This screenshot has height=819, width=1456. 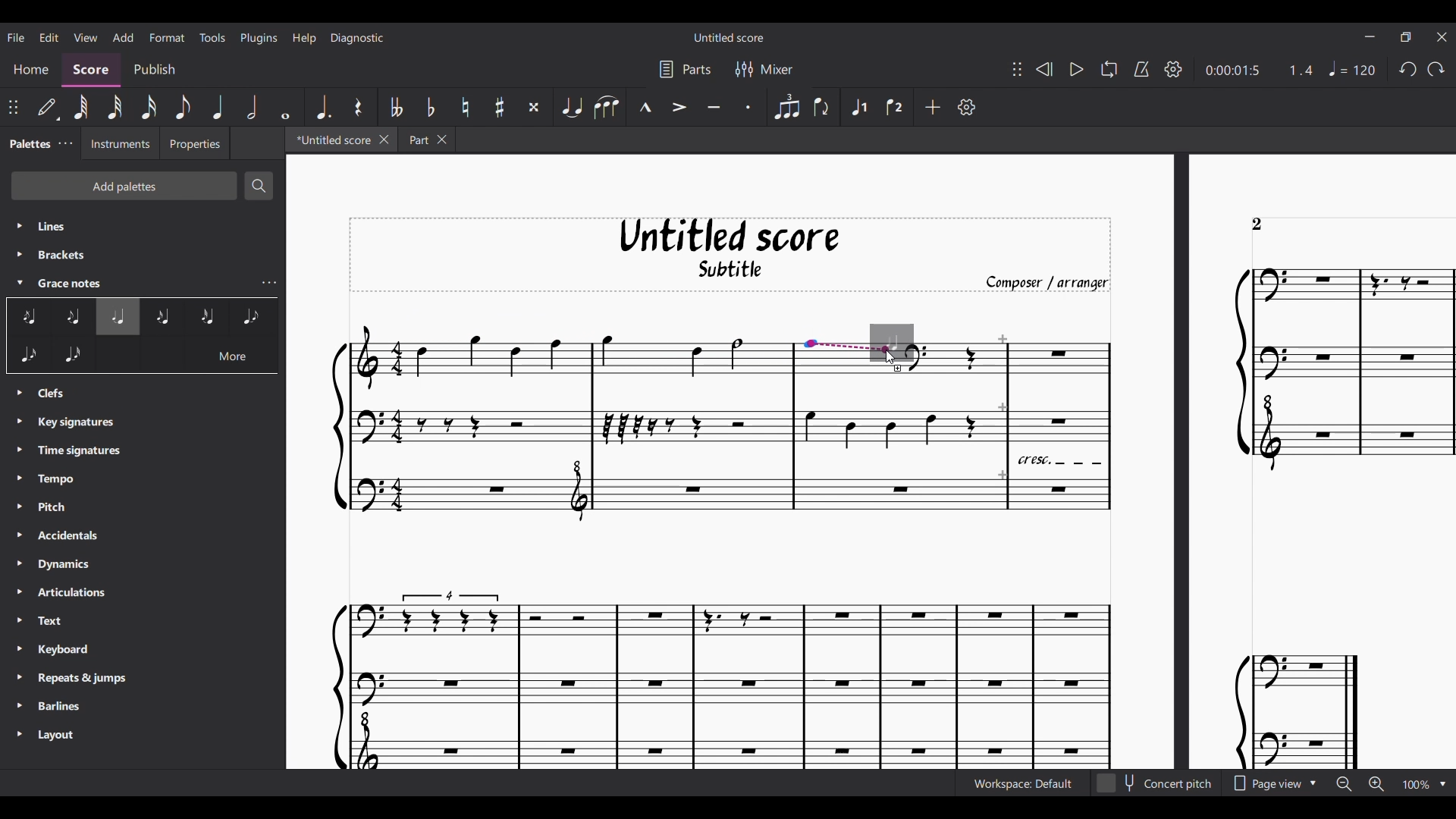 What do you see at coordinates (183, 108) in the screenshot?
I see `8th note` at bounding box center [183, 108].